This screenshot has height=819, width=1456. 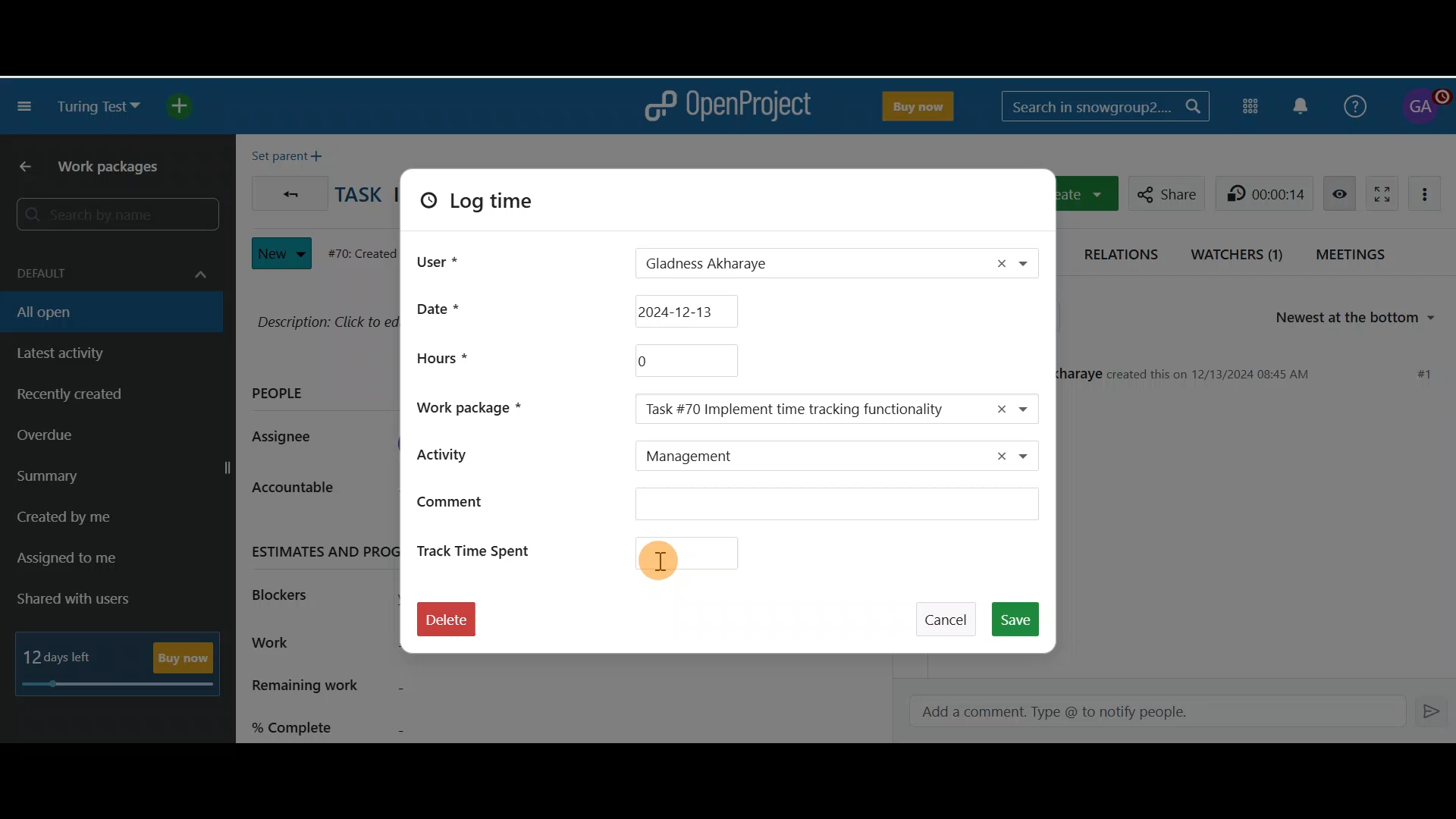 What do you see at coordinates (286, 190) in the screenshot?
I see `Back` at bounding box center [286, 190].